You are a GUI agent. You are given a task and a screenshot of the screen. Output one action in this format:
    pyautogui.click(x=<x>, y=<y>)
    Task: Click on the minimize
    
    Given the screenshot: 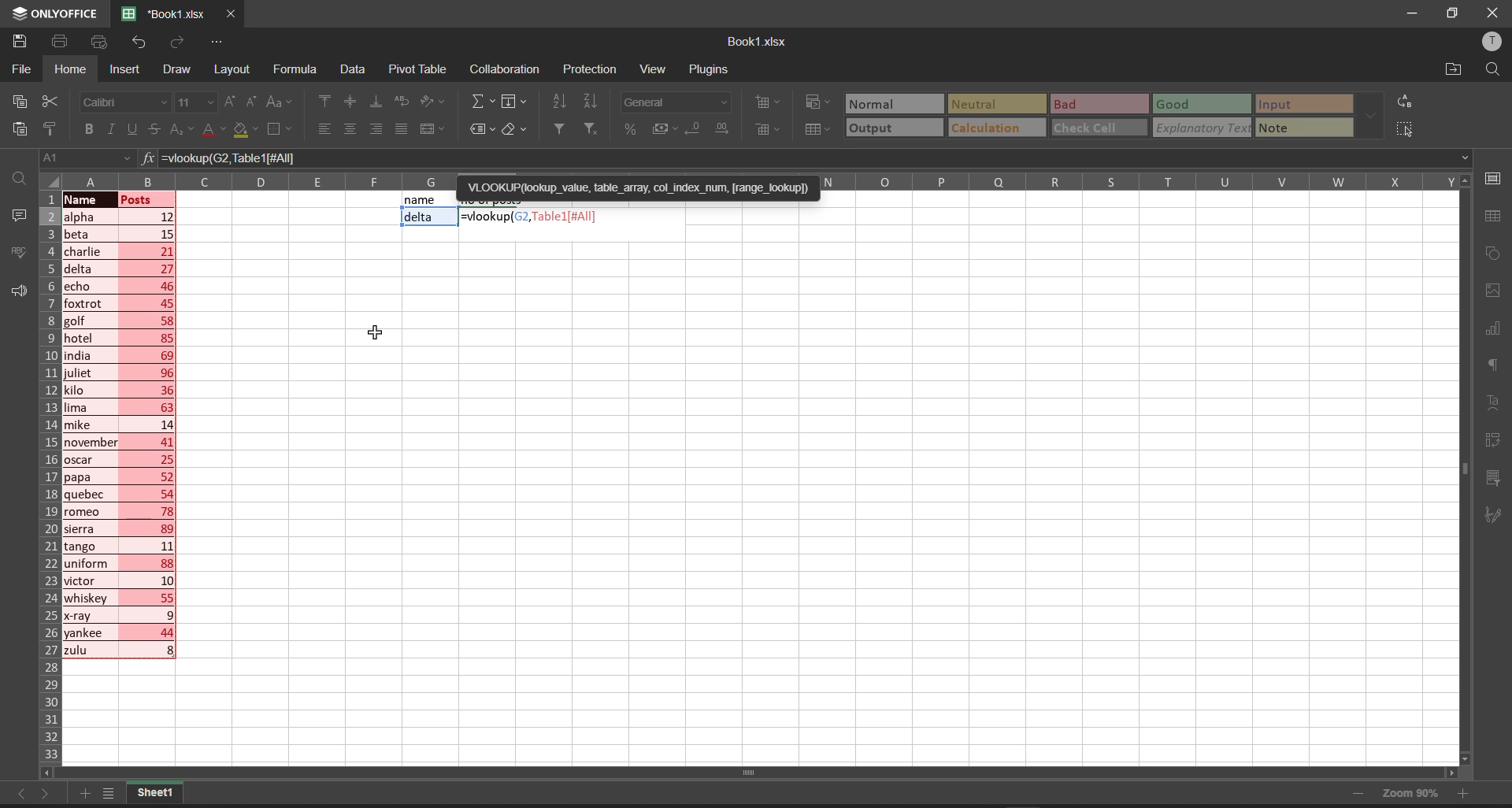 What is the action you would take?
    pyautogui.click(x=1417, y=14)
    